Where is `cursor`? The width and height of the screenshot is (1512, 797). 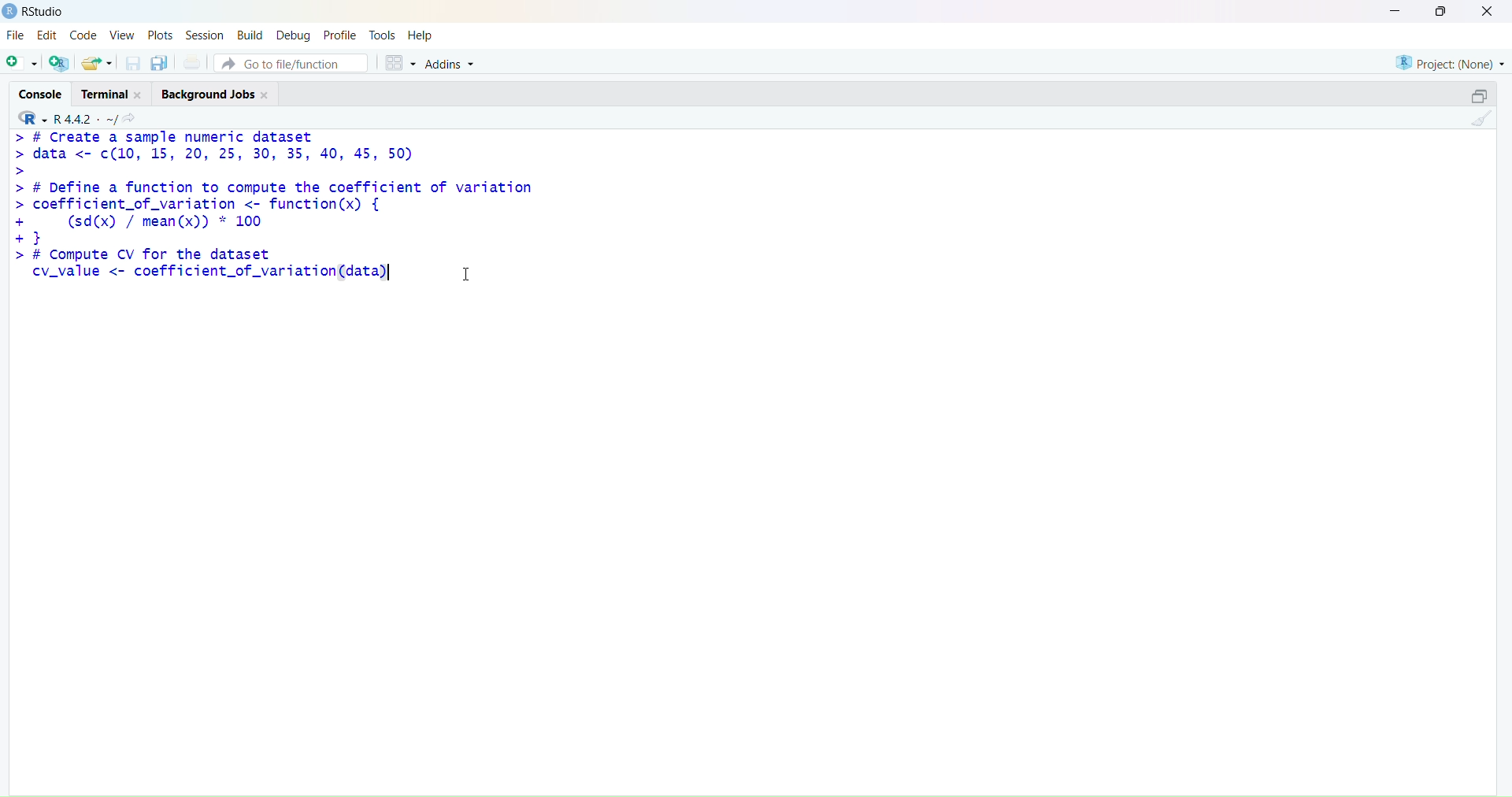
cursor is located at coordinates (466, 273).